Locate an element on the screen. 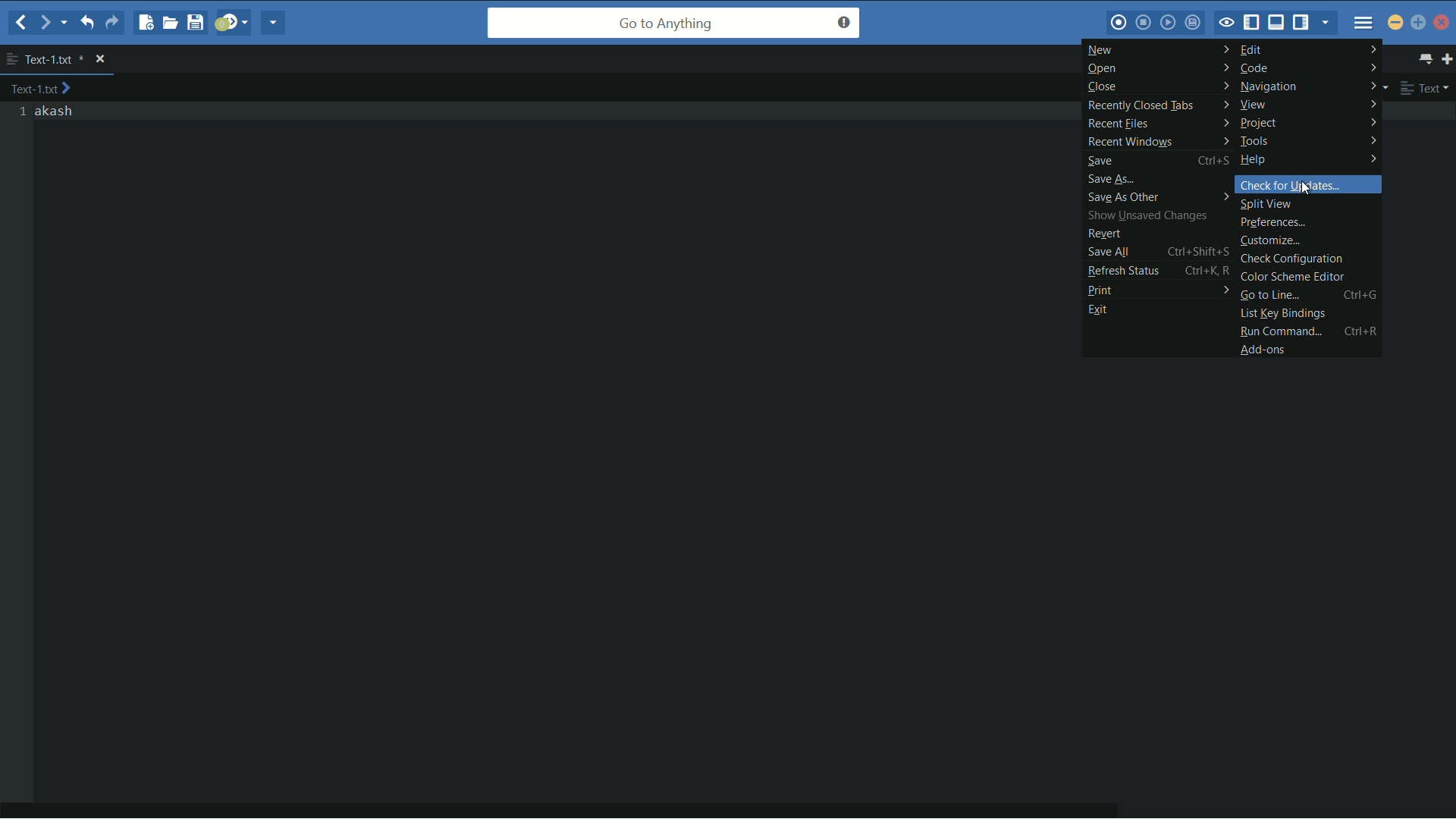 This screenshot has width=1456, height=819. print is located at coordinates (1156, 290).